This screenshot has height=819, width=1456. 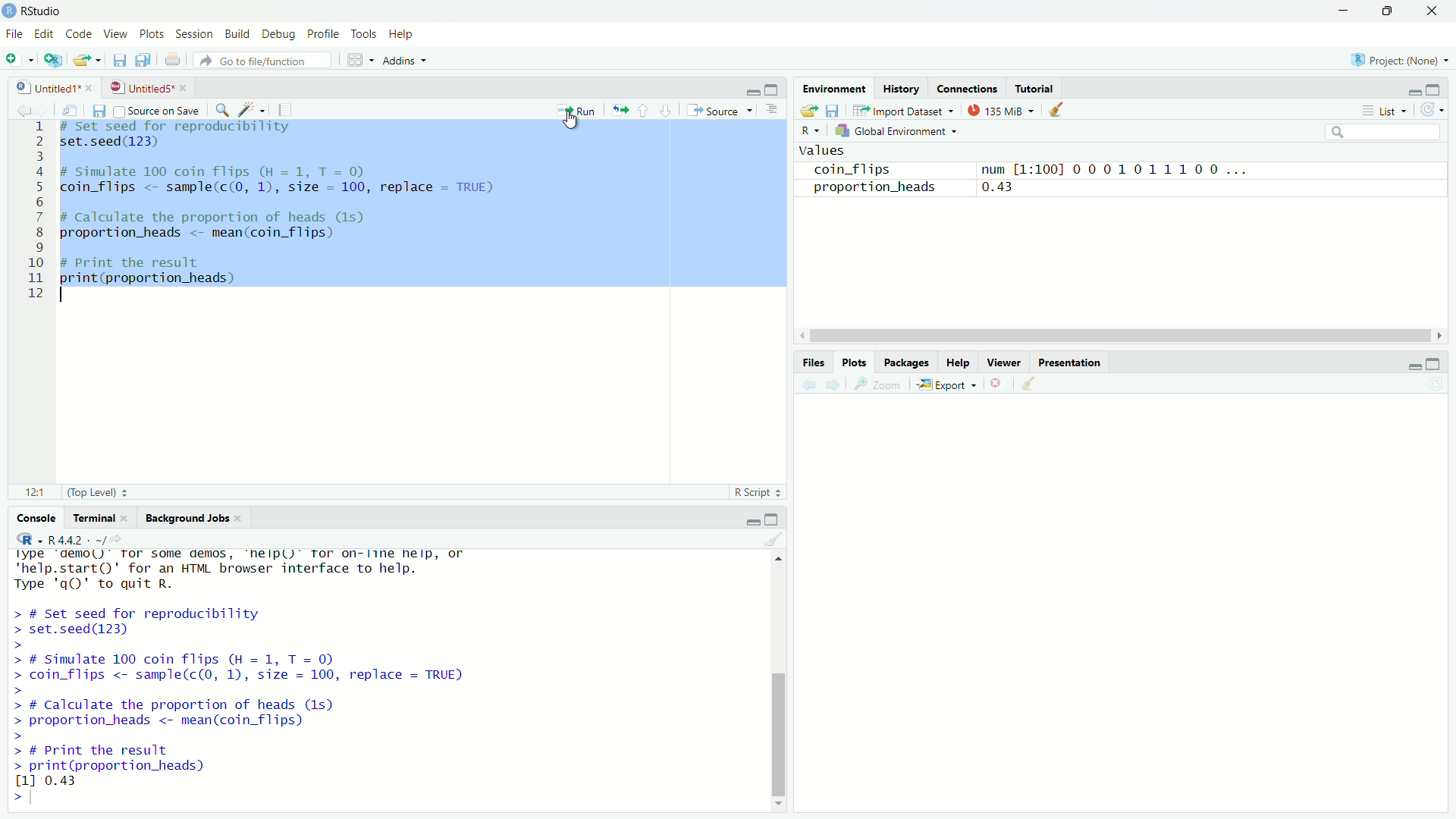 What do you see at coordinates (883, 387) in the screenshot?
I see `view a larger version of the plot in new window` at bounding box center [883, 387].